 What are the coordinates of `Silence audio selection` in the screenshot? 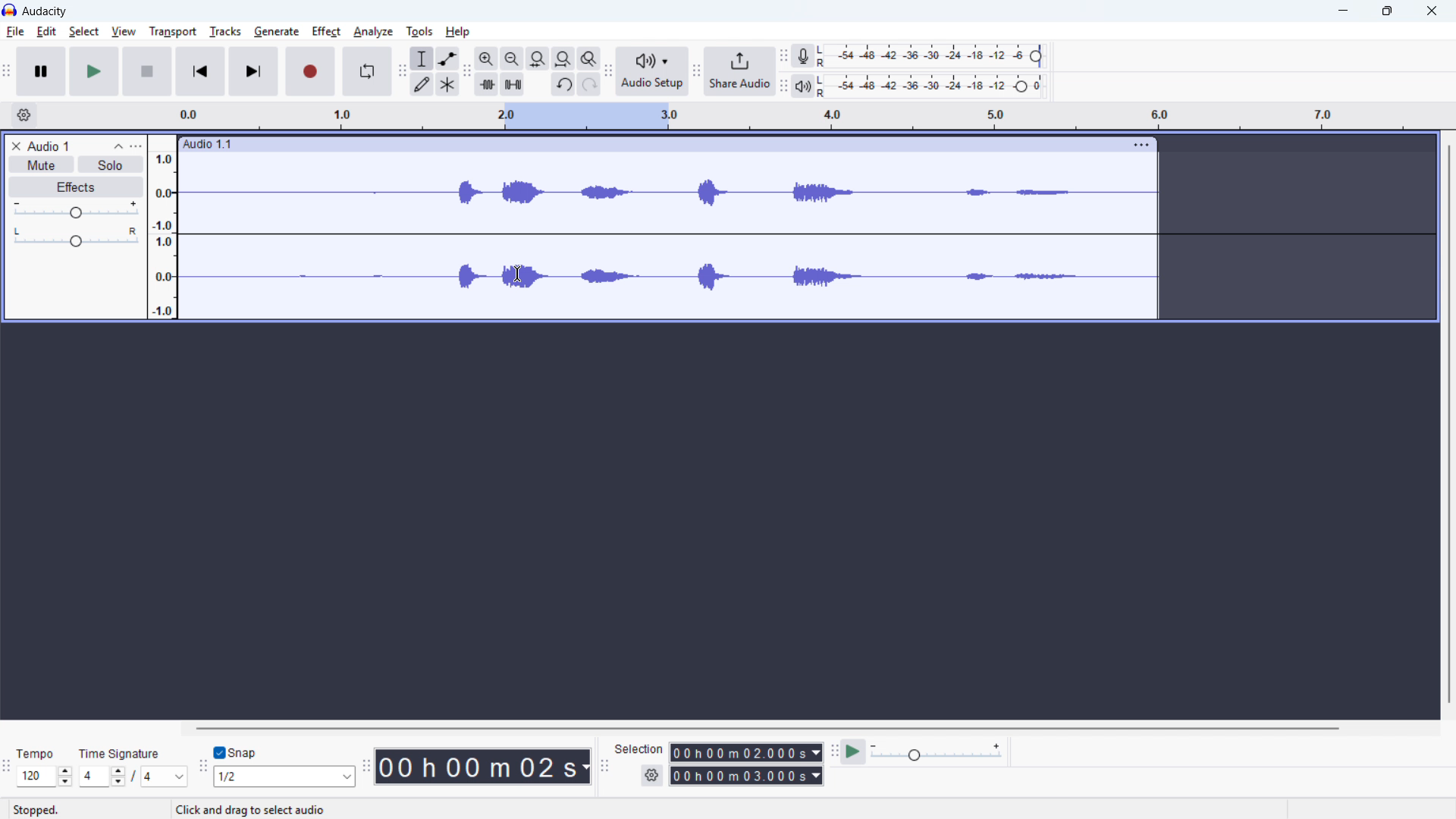 It's located at (512, 84).